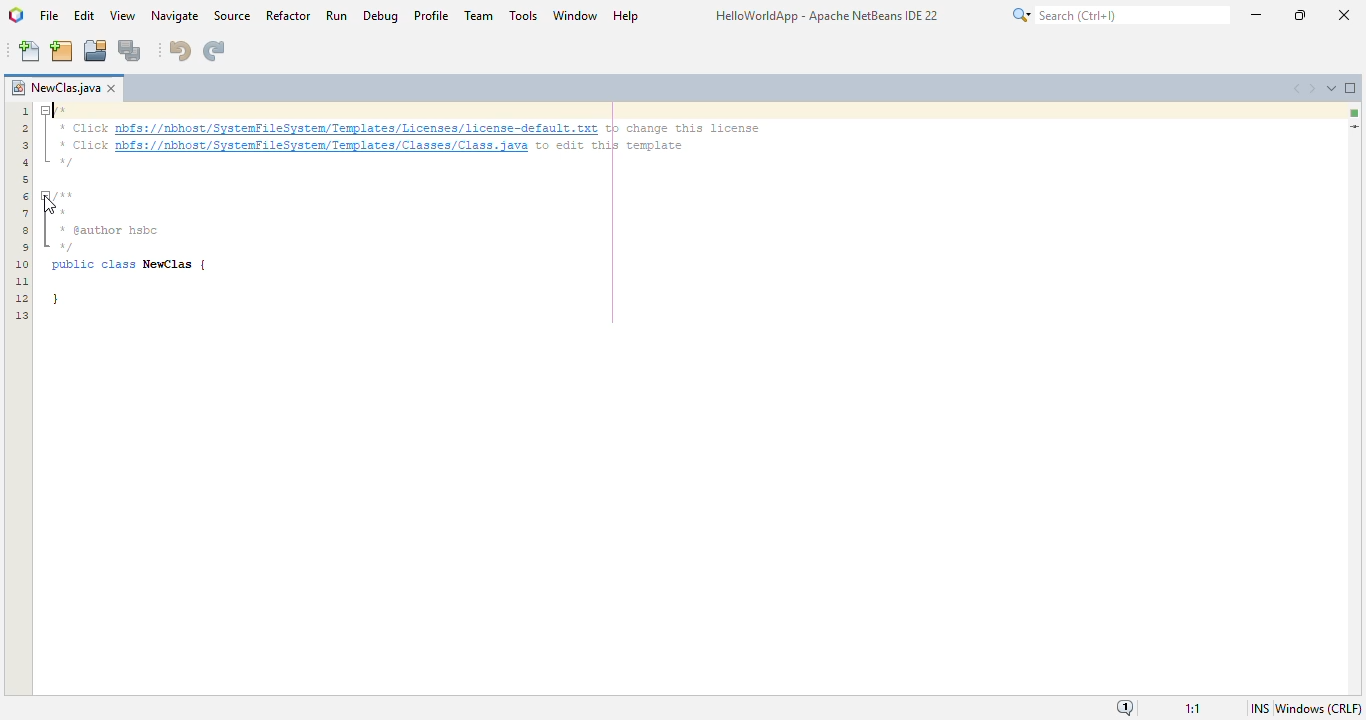 Image resolution: width=1366 pixels, height=720 pixels. Describe the element at coordinates (826, 18) in the screenshot. I see `HelloWorldApp - Apache NetBeans IDE 22` at that location.